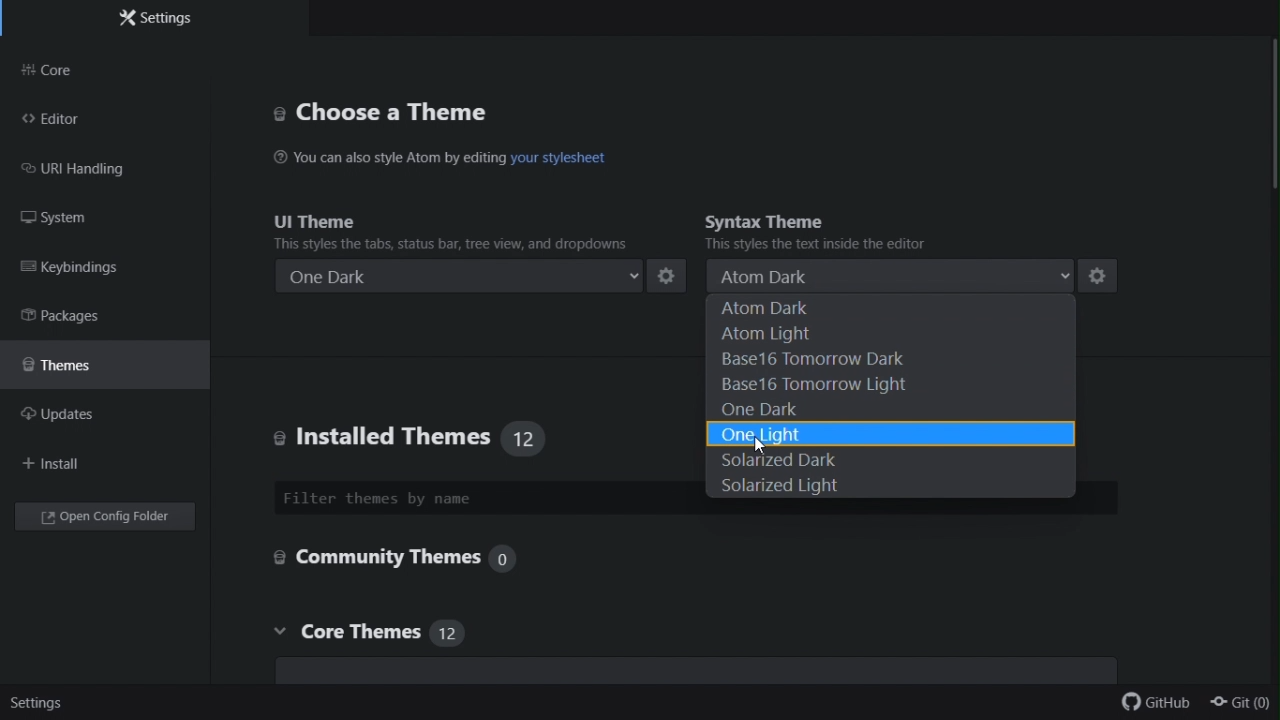 This screenshot has width=1280, height=720. Describe the element at coordinates (62, 468) in the screenshot. I see `Install` at that location.